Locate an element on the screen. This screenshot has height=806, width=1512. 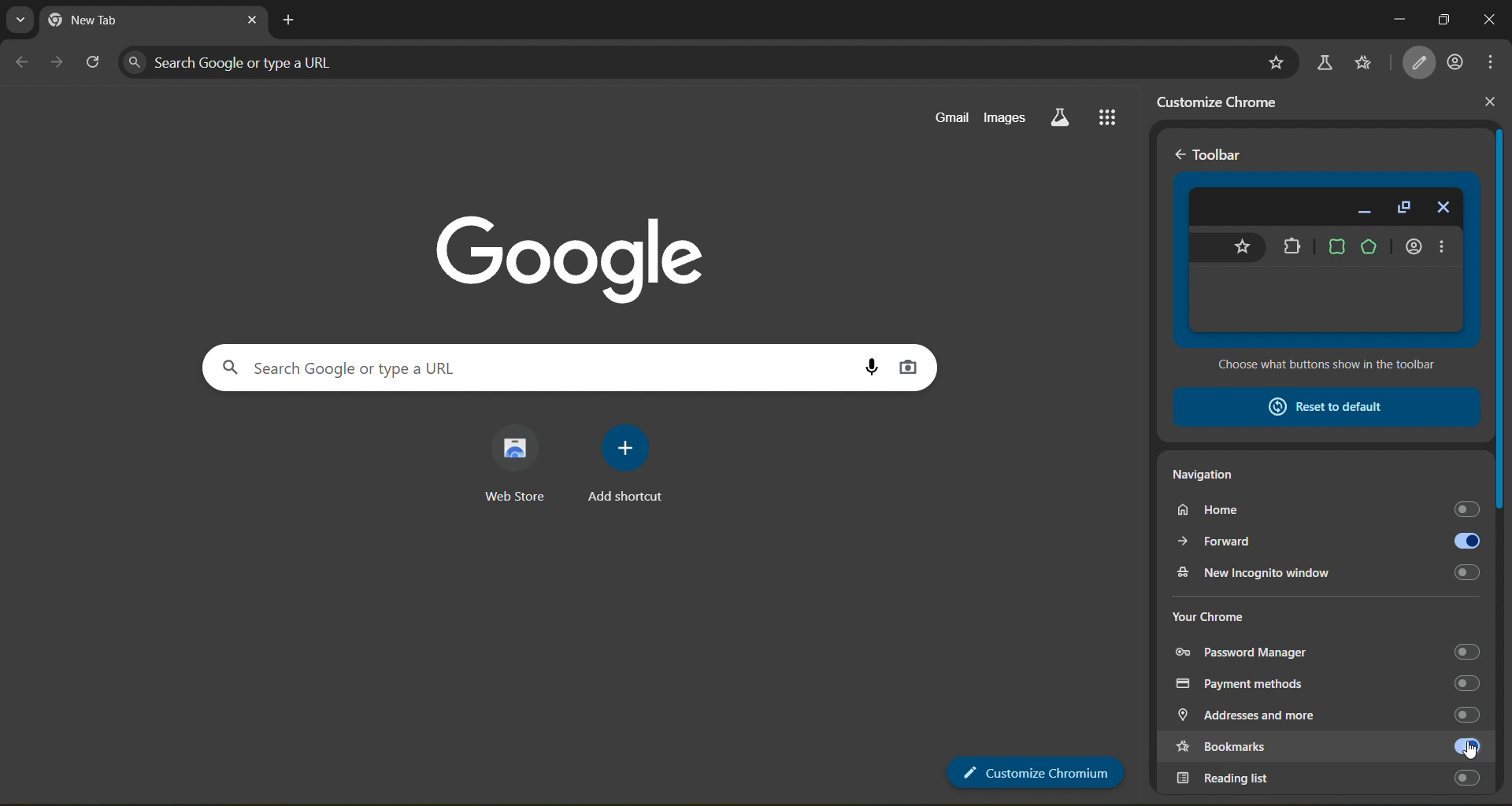
minimize is located at coordinates (1392, 18).